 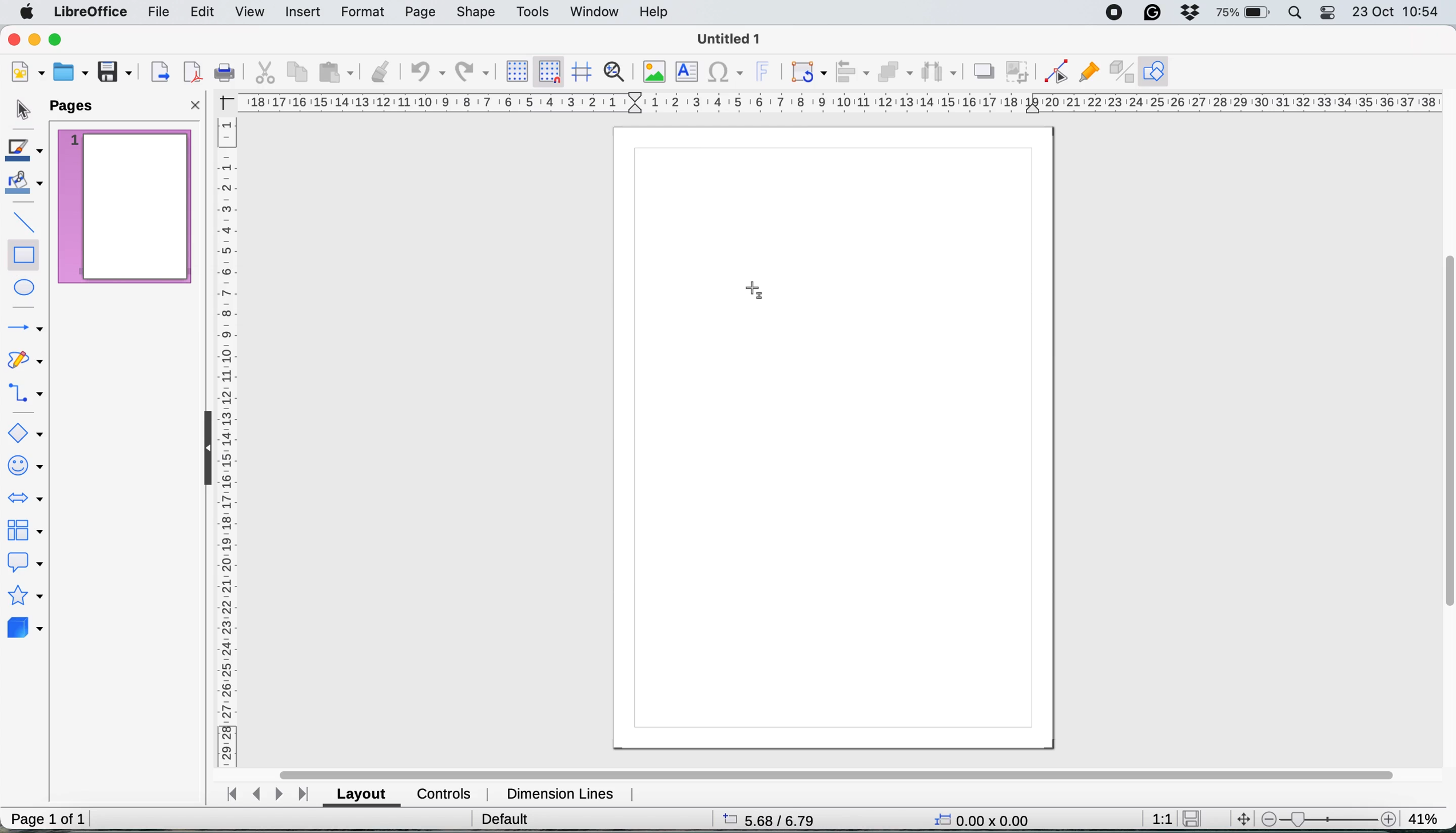 I want to click on 5.68/6.79, so click(x=777, y=819).